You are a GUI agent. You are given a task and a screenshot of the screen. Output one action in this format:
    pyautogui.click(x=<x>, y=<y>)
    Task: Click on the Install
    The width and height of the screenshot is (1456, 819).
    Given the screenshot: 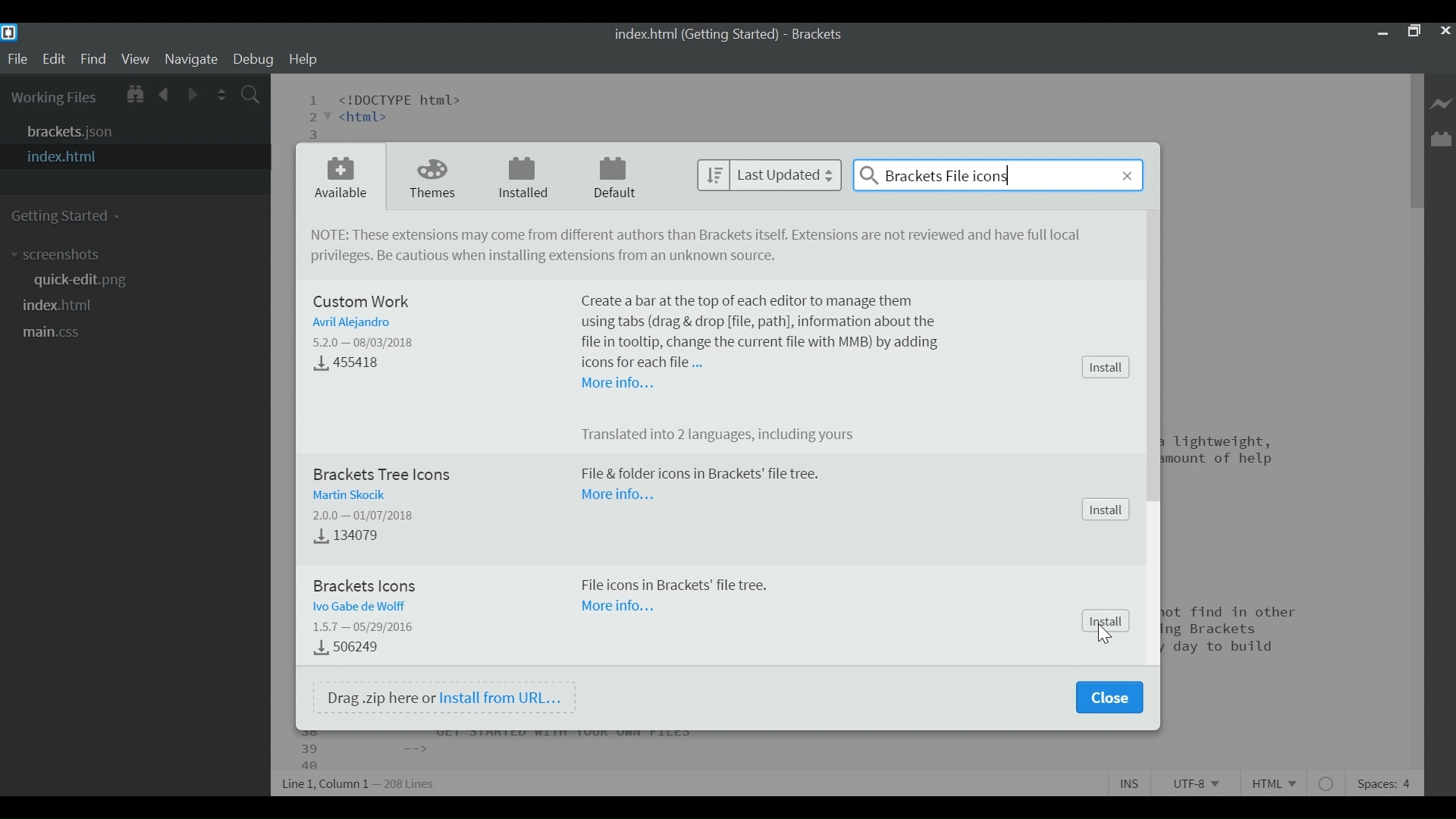 What is the action you would take?
    pyautogui.click(x=1108, y=620)
    